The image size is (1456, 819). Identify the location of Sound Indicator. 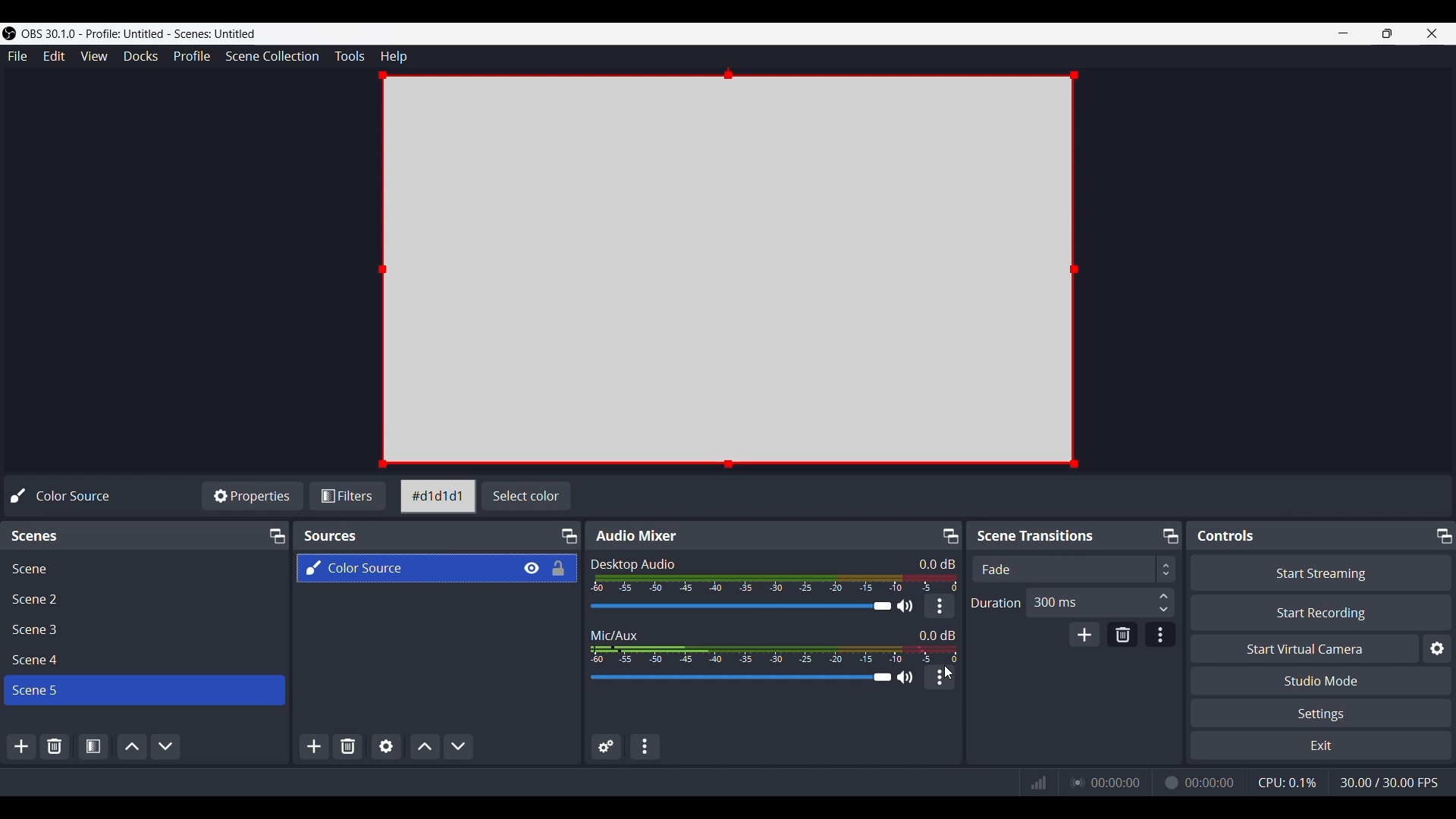
(771, 583).